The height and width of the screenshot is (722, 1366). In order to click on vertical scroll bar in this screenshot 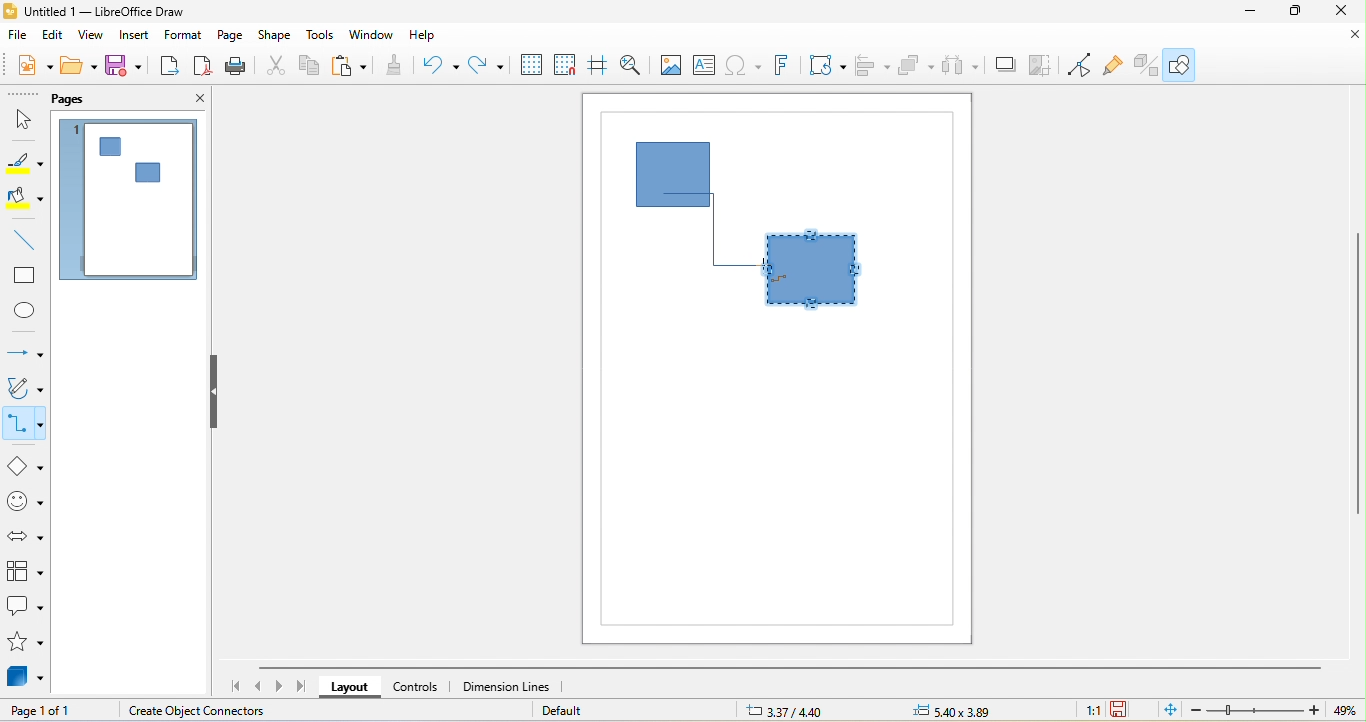, I will do `click(1357, 381)`.